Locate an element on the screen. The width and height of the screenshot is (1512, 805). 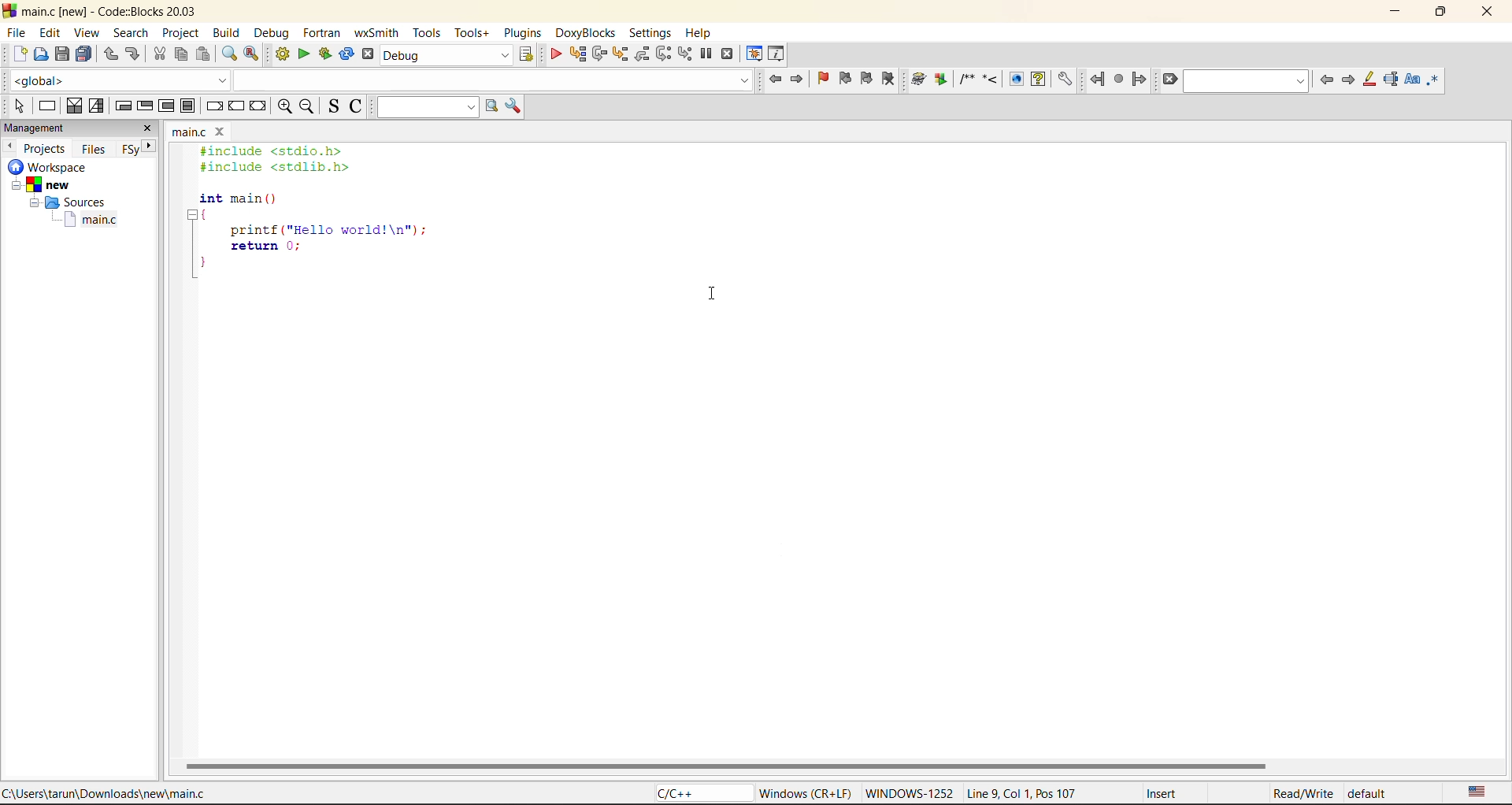
select is located at coordinates (15, 103).